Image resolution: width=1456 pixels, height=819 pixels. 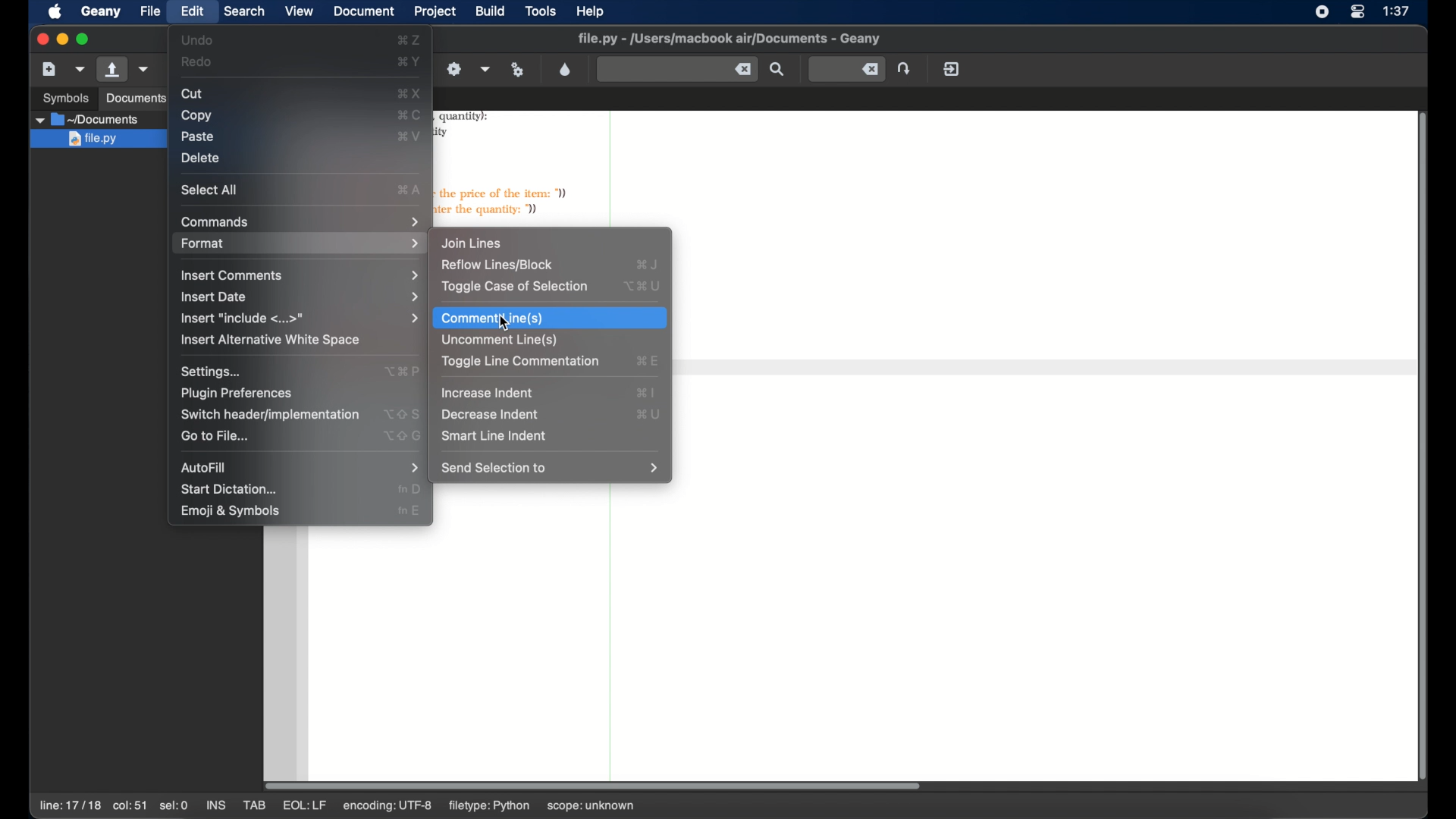 I want to click on copy shortcut, so click(x=409, y=115).